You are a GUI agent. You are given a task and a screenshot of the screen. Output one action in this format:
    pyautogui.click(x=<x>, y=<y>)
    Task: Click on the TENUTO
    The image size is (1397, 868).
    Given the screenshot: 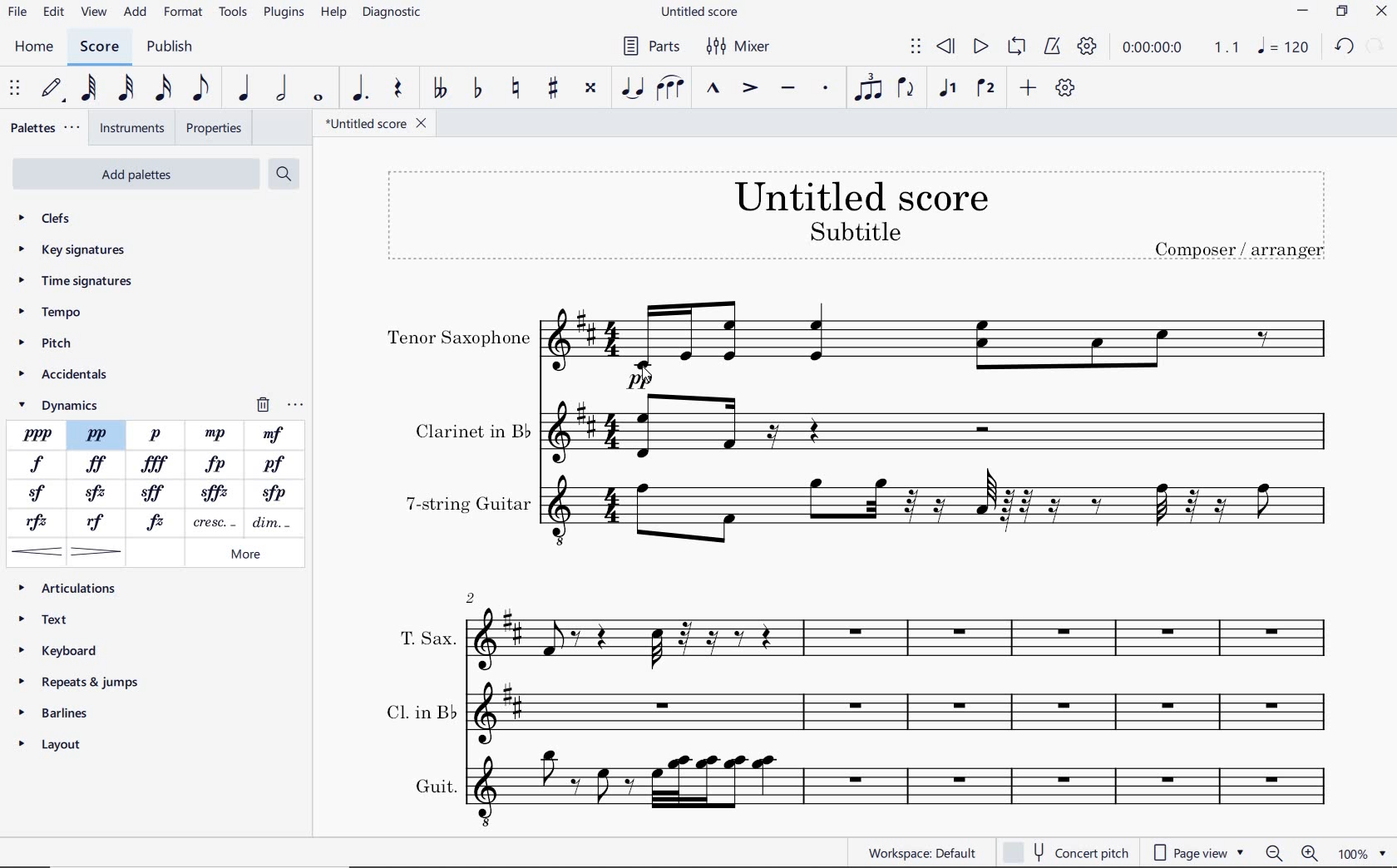 What is the action you would take?
    pyautogui.click(x=787, y=89)
    